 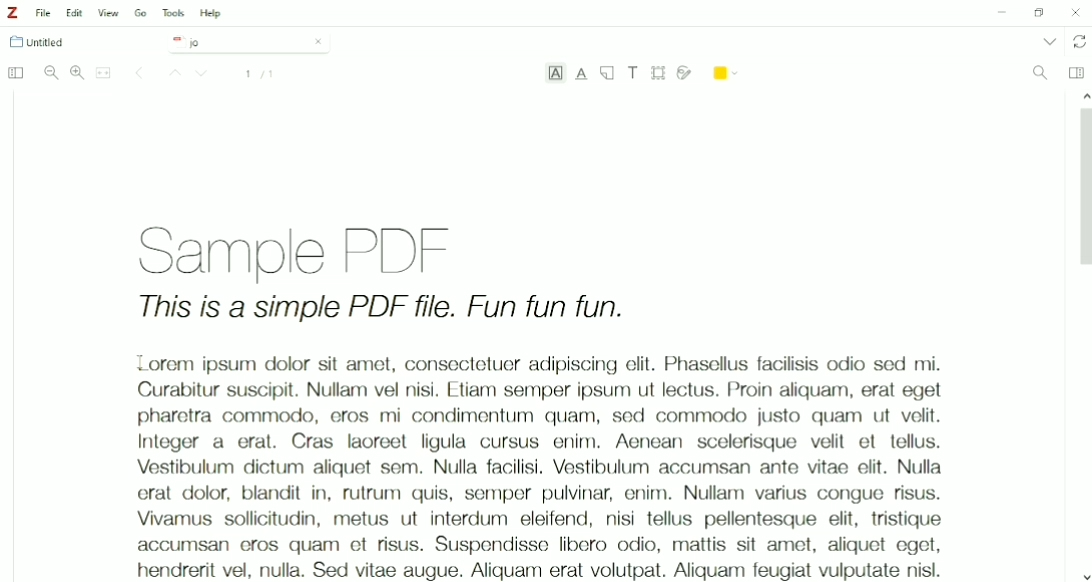 I want to click on jo, so click(x=234, y=43).